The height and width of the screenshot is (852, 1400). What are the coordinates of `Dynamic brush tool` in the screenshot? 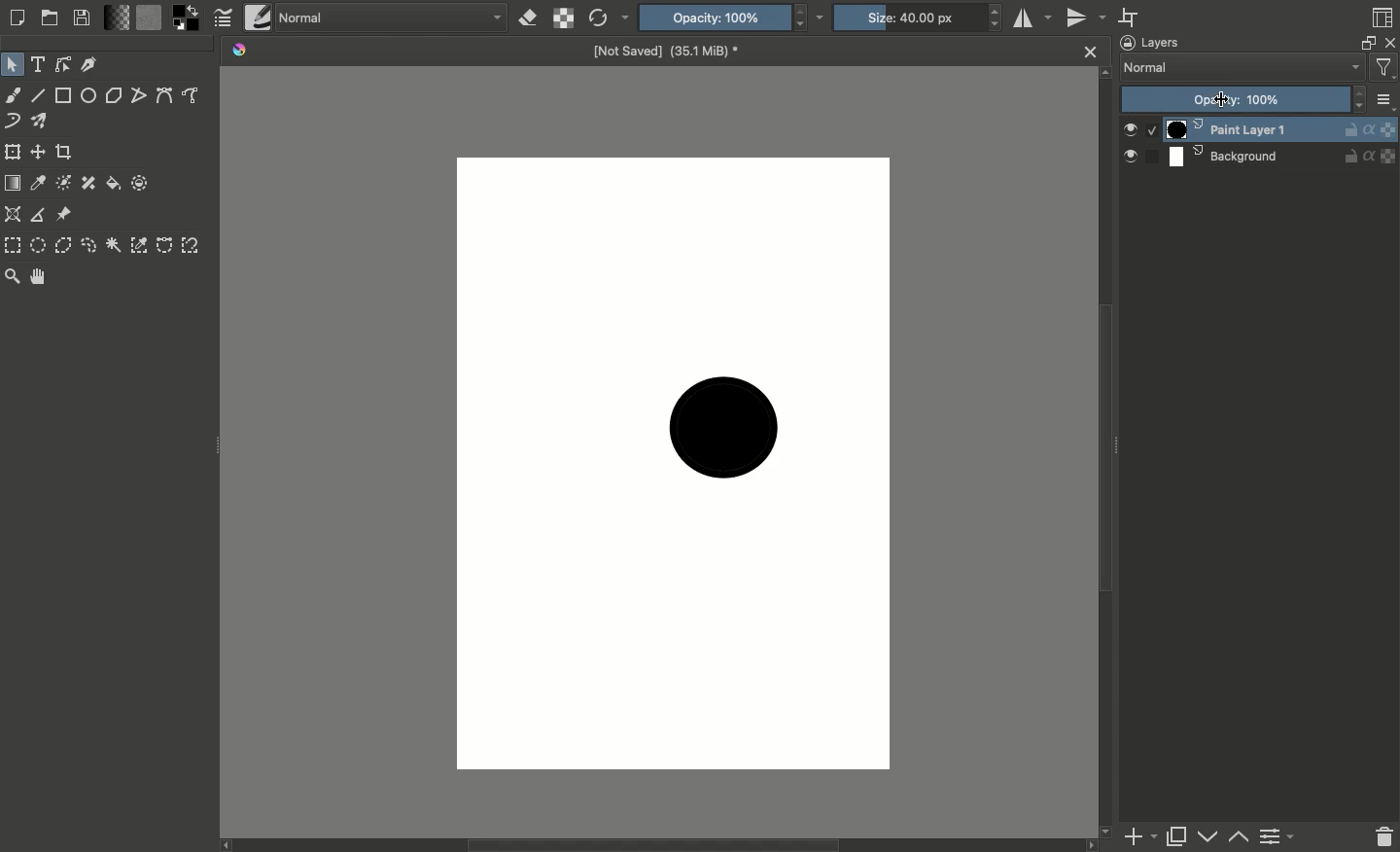 It's located at (13, 122).